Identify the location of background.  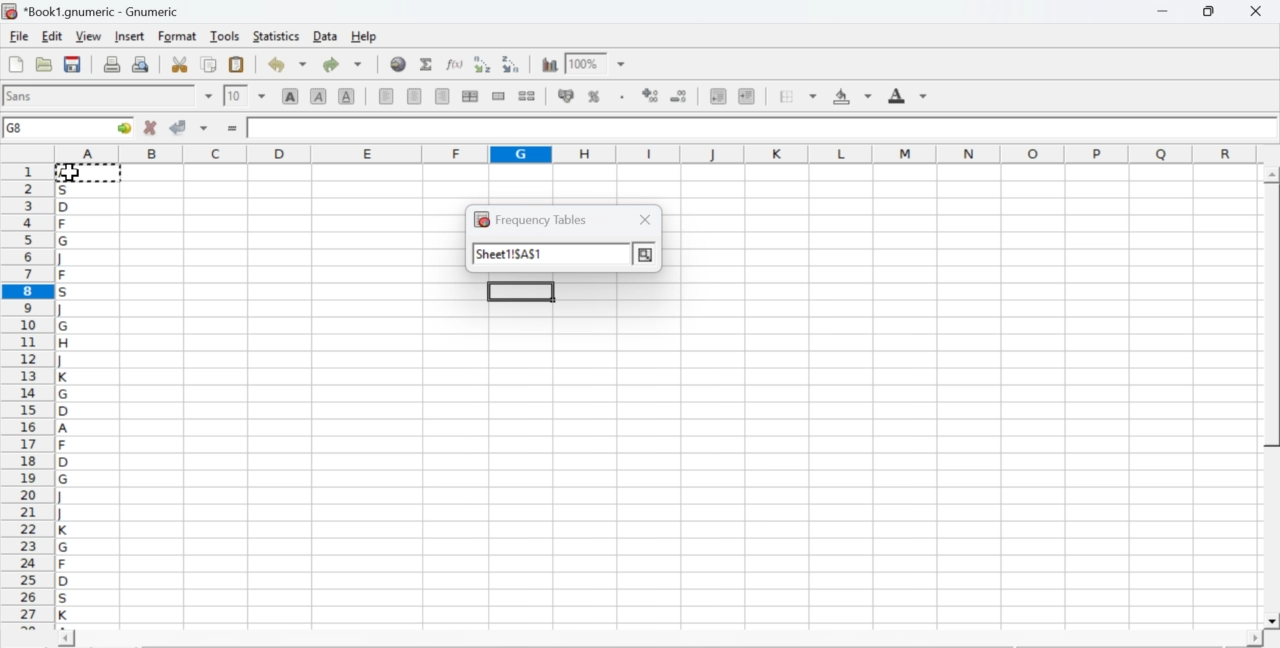
(854, 96).